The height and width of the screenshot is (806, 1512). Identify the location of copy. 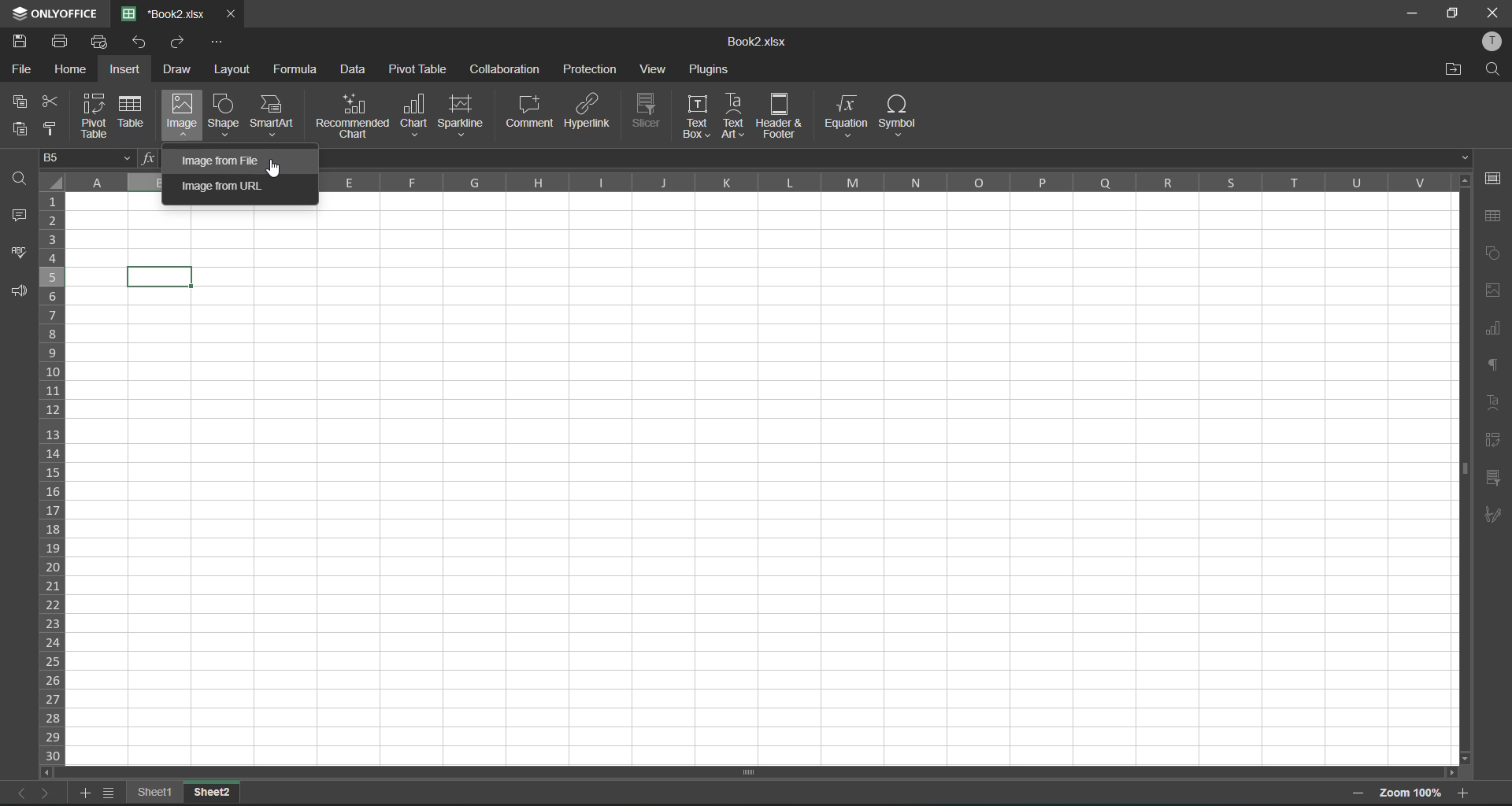
(20, 102).